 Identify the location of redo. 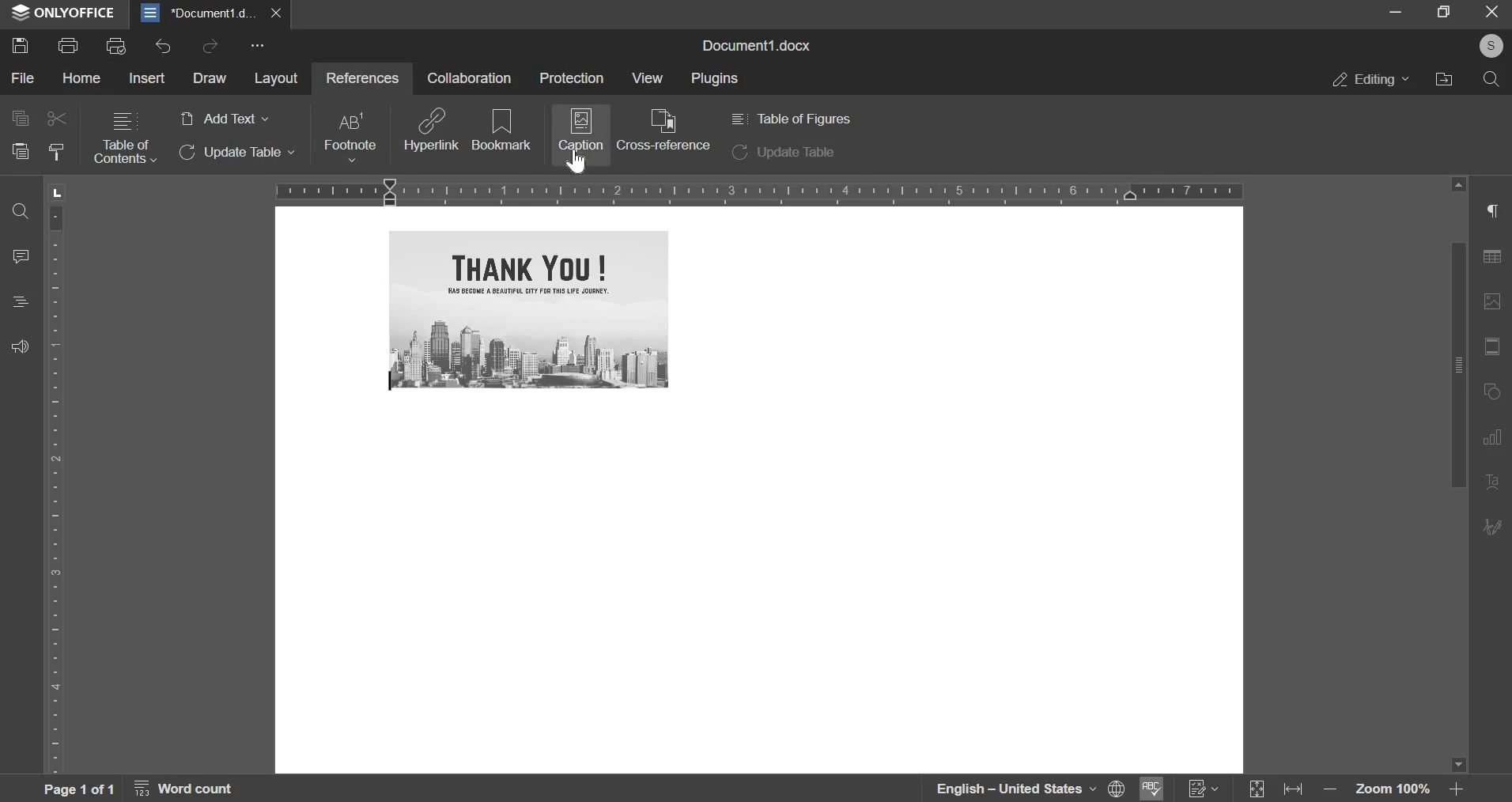
(210, 45).